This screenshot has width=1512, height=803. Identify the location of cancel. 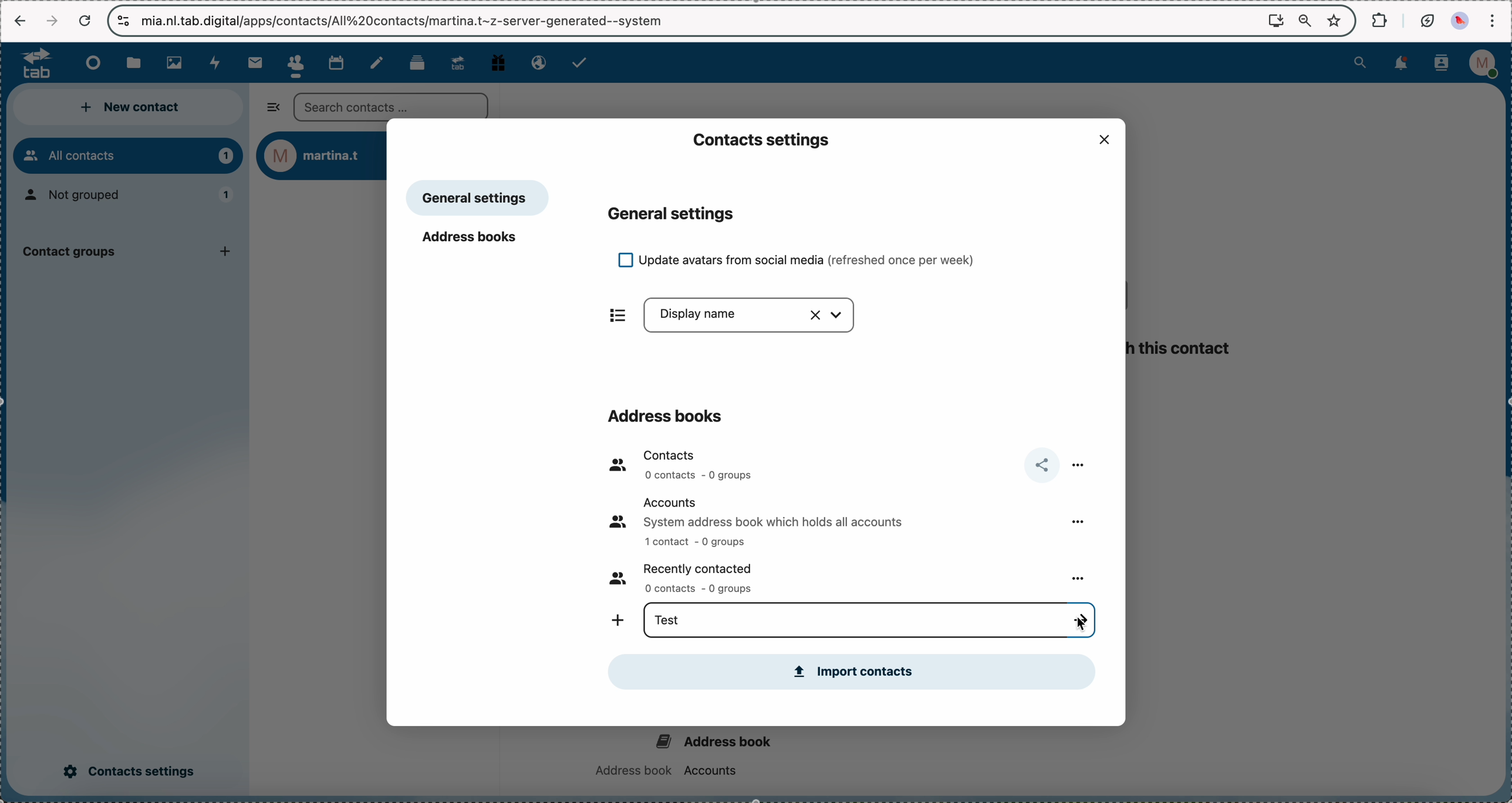
(86, 21).